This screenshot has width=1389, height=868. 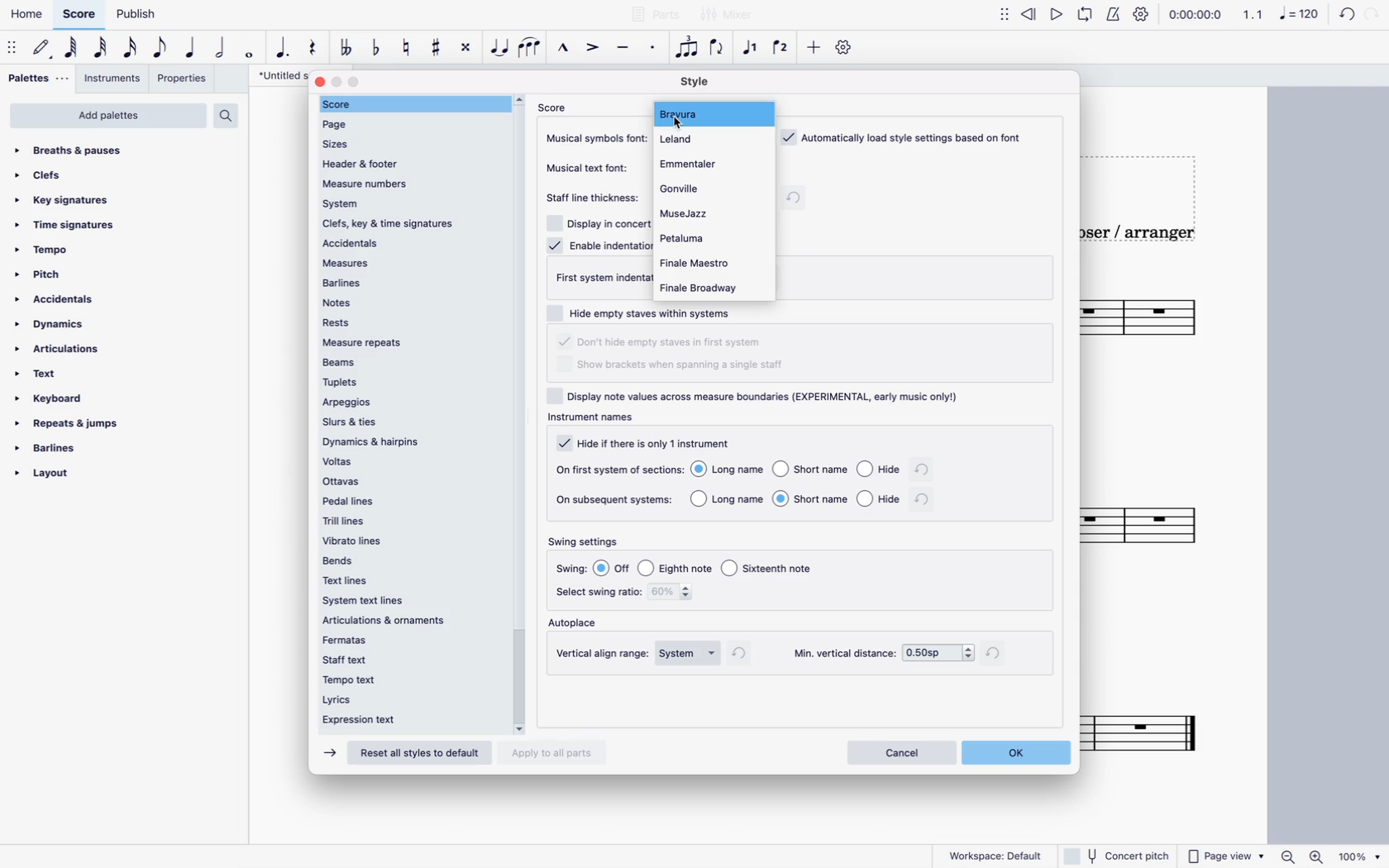 I want to click on scroll, so click(x=523, y=414).